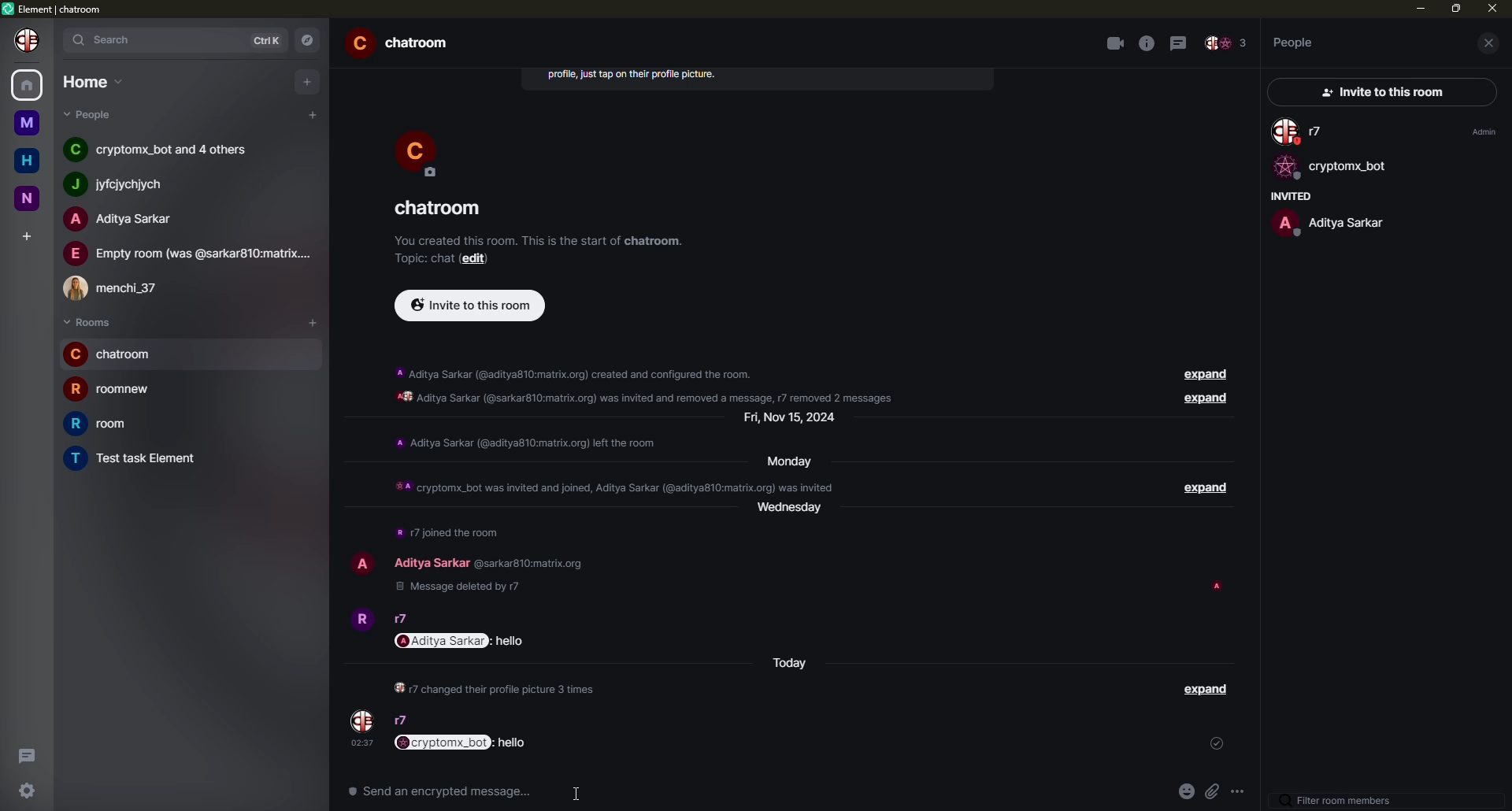 The height and width of the screenshot is (811, 1512). Describe the element at coordinates (28, 789) in the screenshot. I see `settings` at that location.